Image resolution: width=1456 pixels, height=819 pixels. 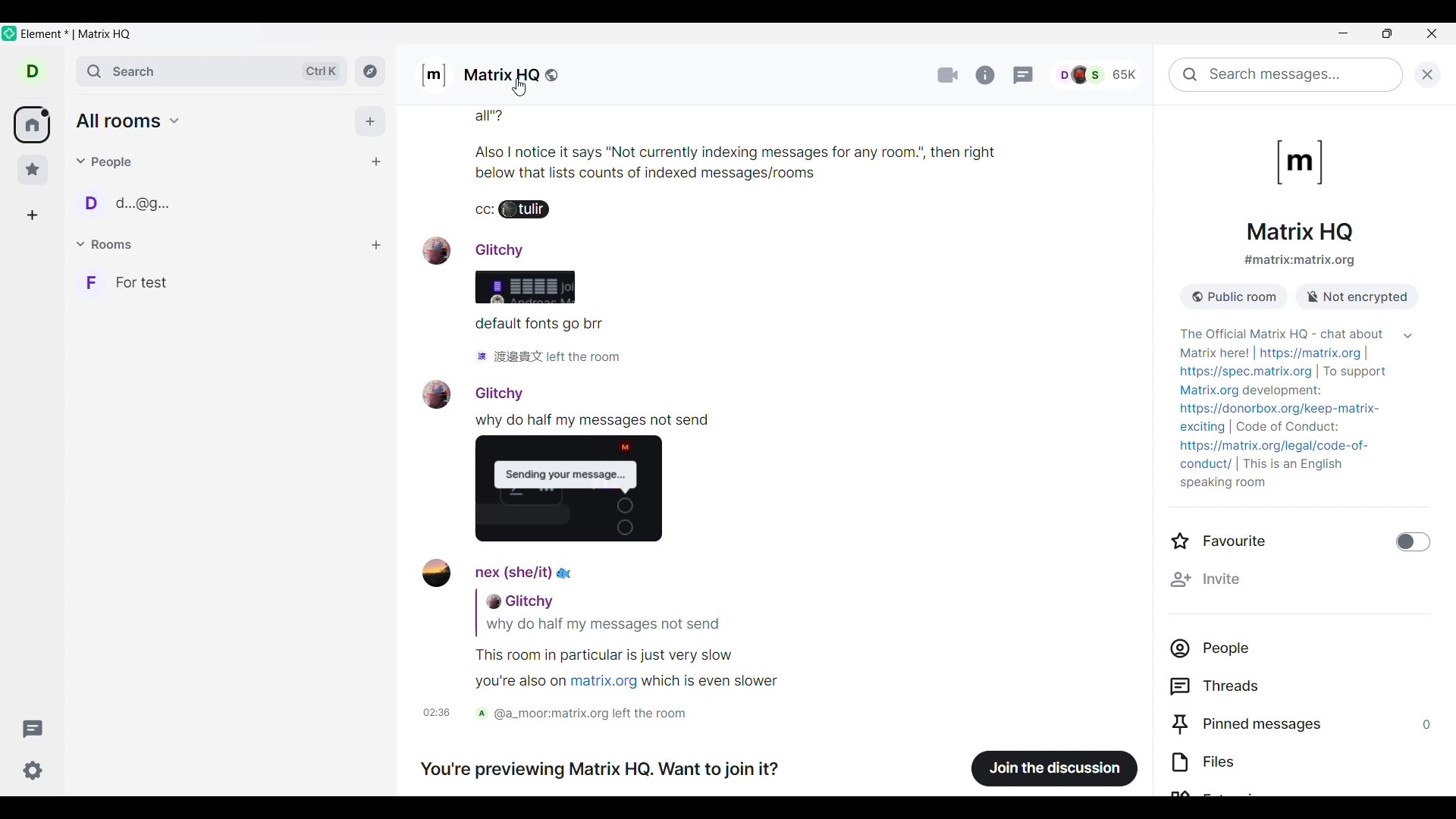 What do you see at coordinates (1301, 578) in the screenshot?
I see `Invite` at bounding box center [1301, 578].